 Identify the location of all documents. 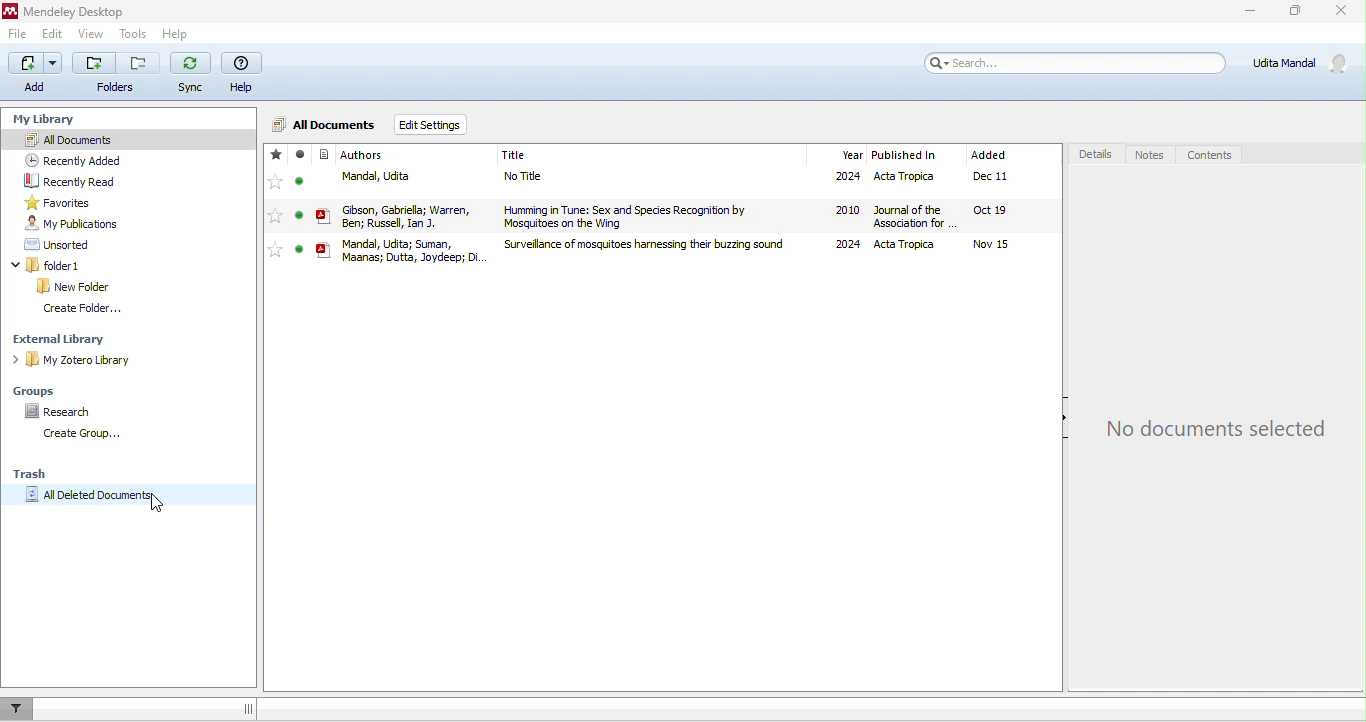
(87, 139).